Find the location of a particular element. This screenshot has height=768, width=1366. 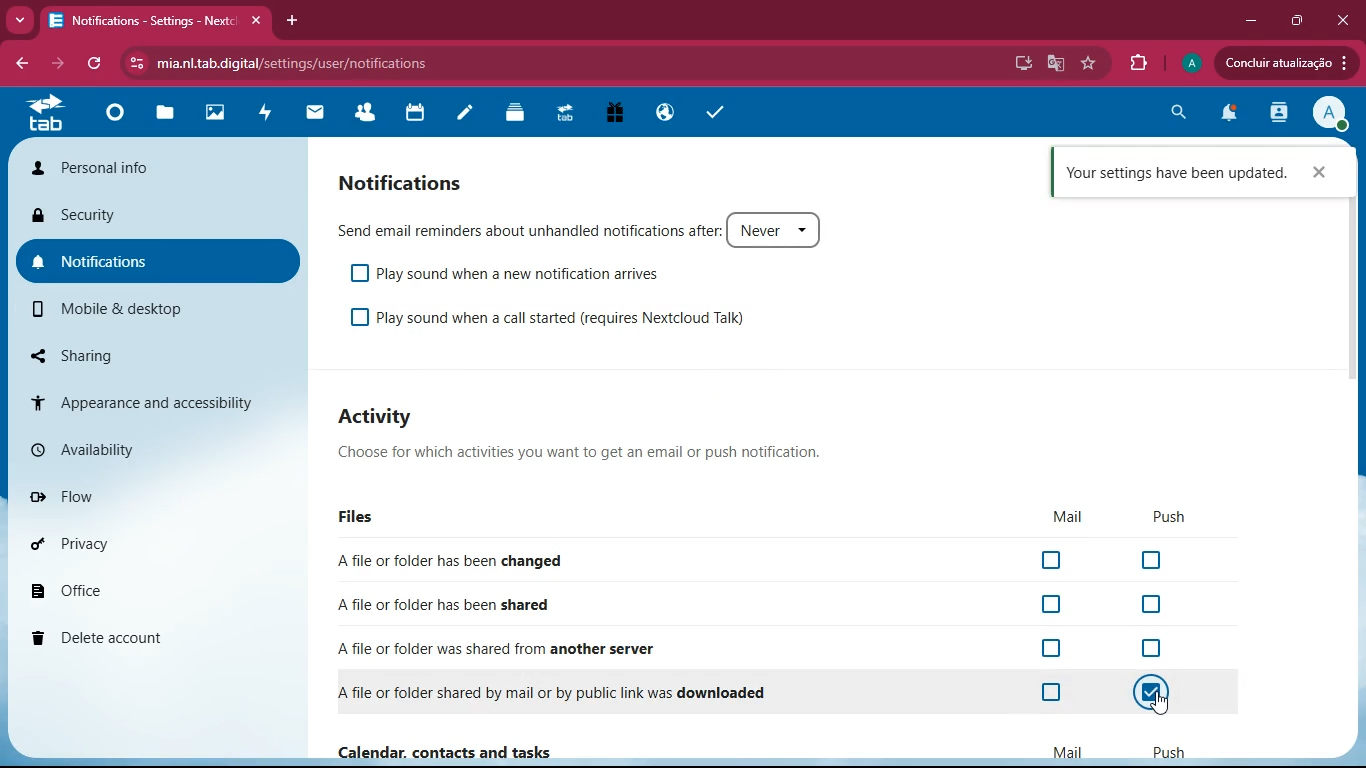

close is located at coordinates (1341, 20).